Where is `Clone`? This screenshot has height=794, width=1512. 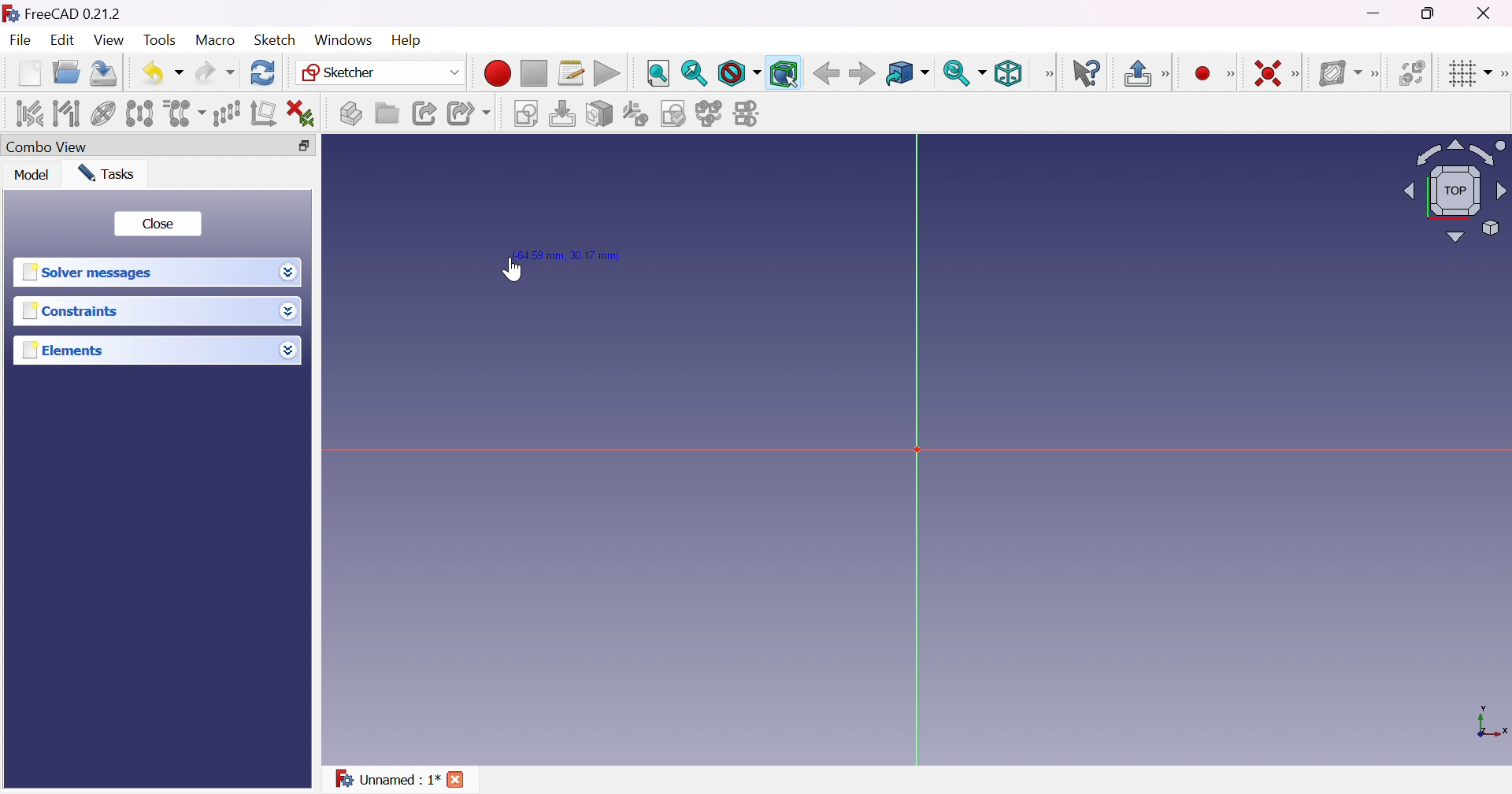 Clone is located at coordinates (183, 113).